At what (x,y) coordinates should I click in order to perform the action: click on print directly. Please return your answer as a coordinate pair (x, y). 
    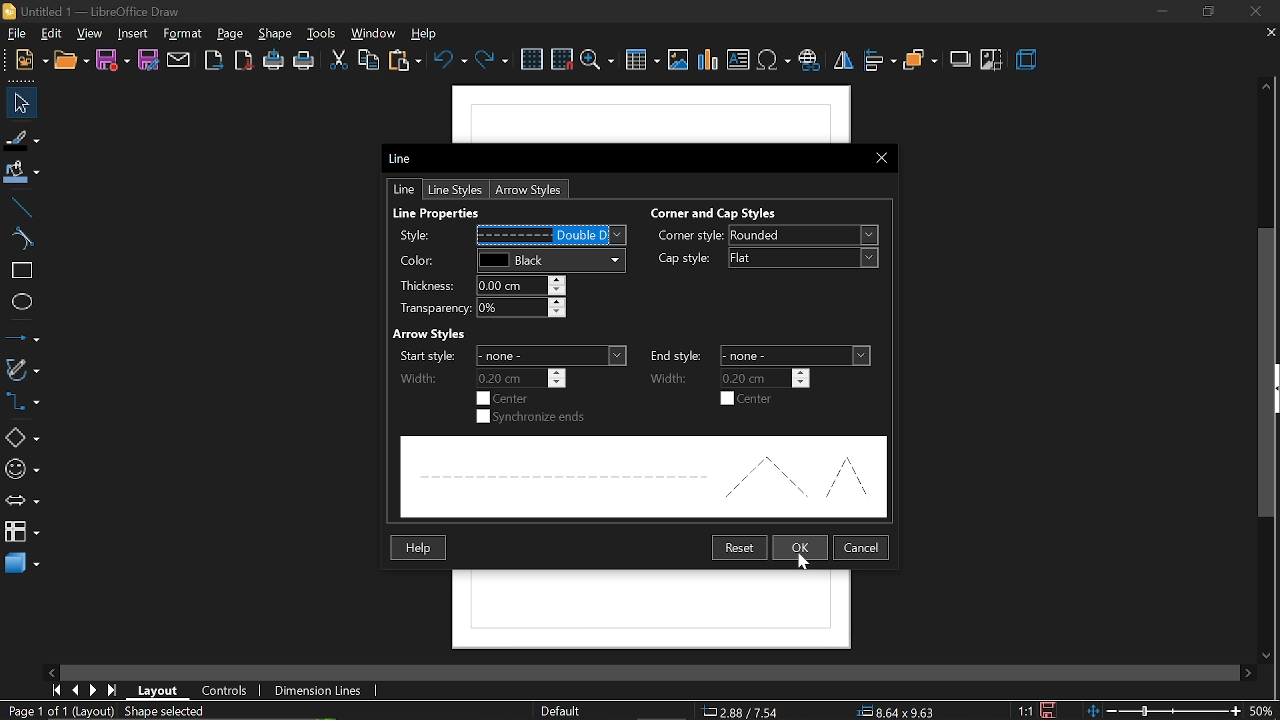
    Looking at the image, I should click on (273, 61).